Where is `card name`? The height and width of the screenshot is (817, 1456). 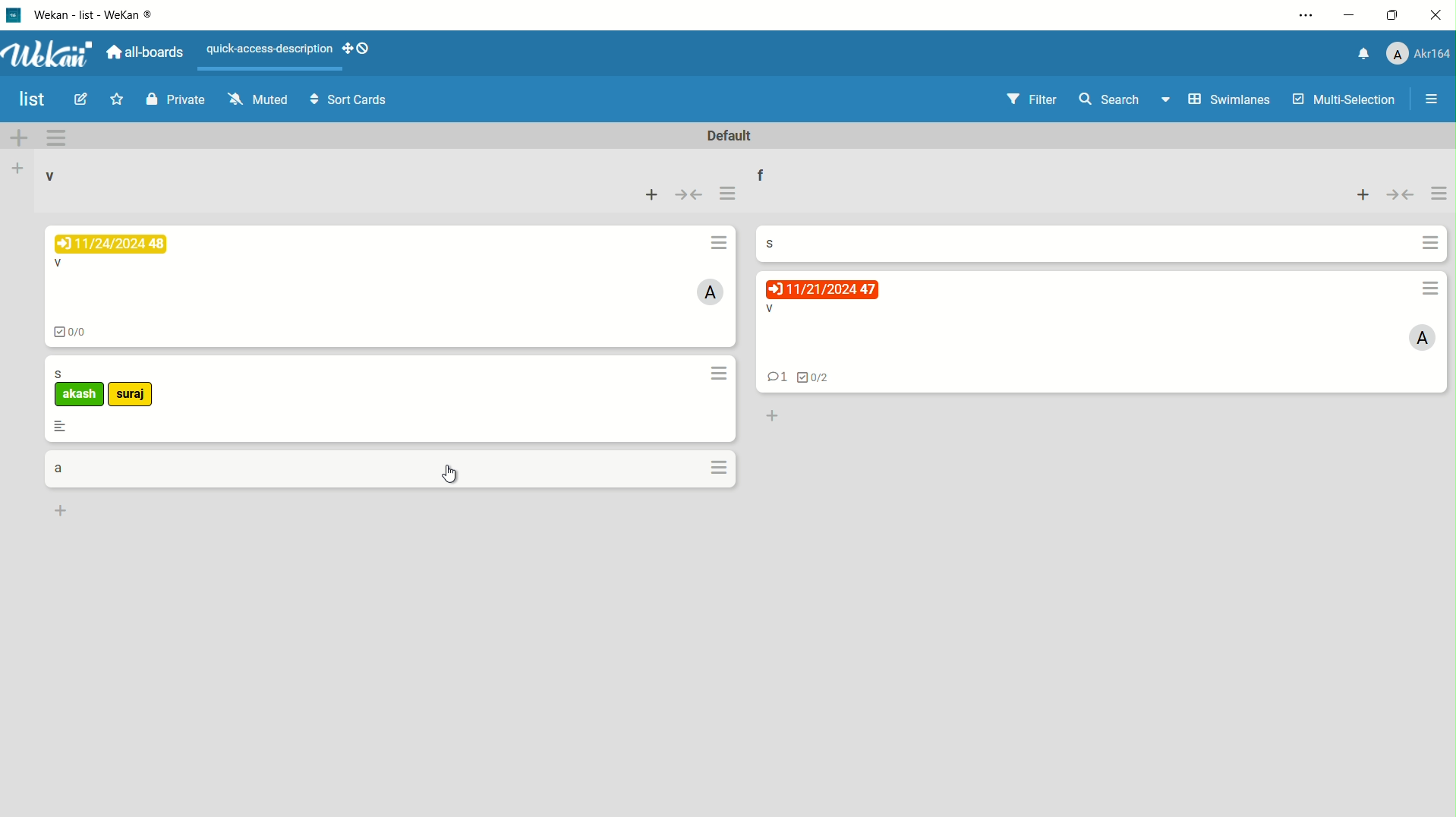 card name is located at coordinates (58, 262).